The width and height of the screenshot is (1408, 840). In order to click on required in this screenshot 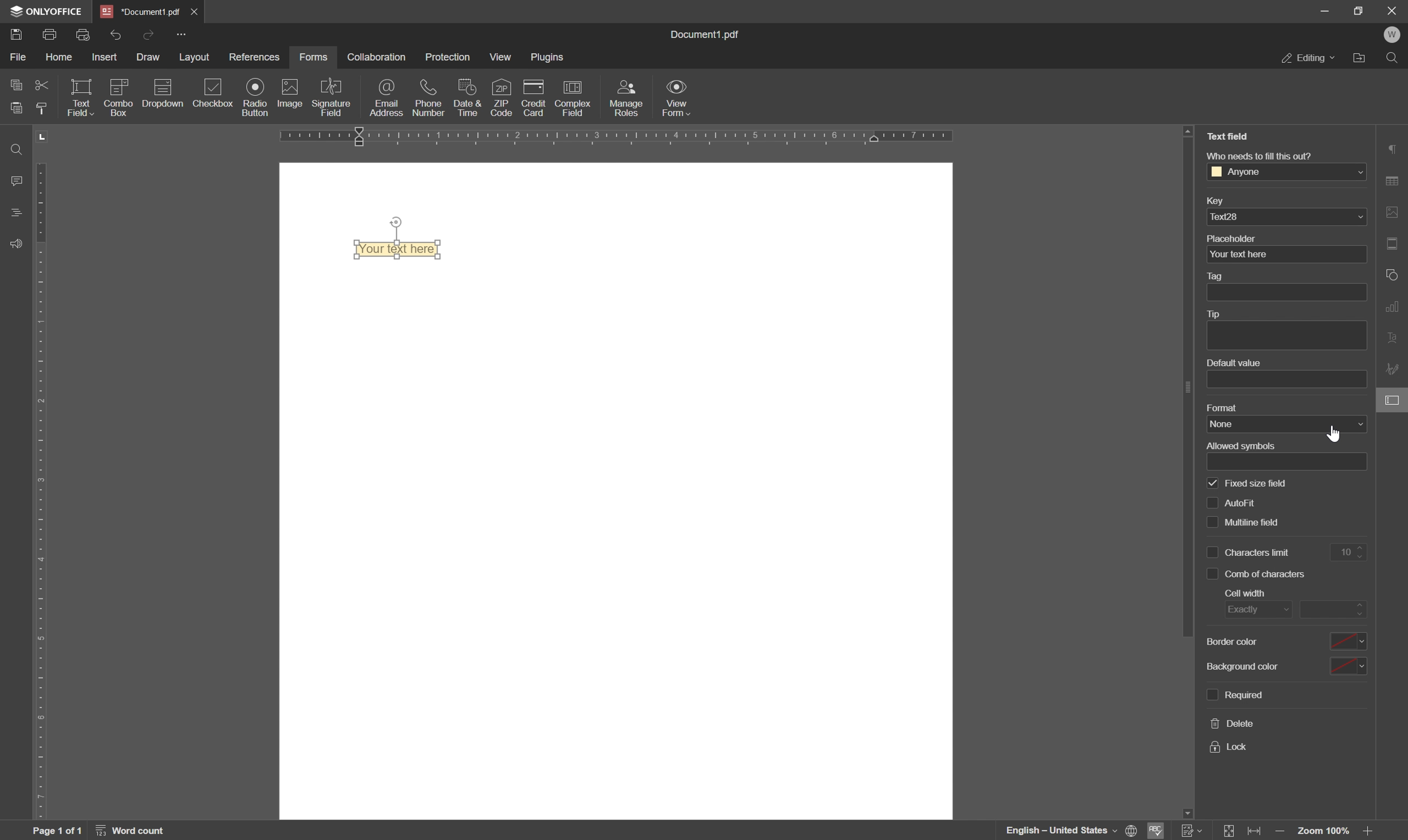, I will do `click(1236, 695)`.